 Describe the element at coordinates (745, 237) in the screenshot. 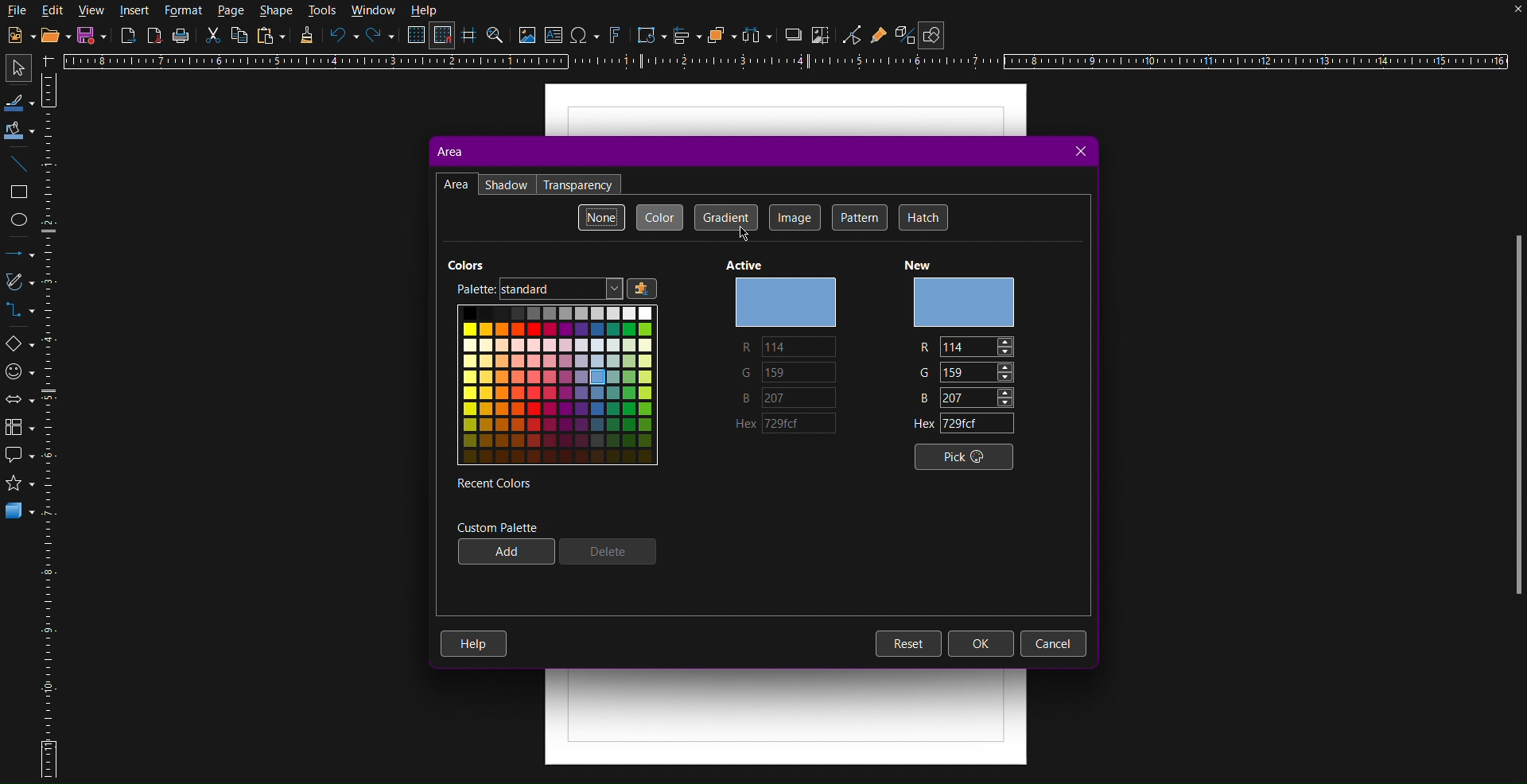

I see `Cursor` at that location.